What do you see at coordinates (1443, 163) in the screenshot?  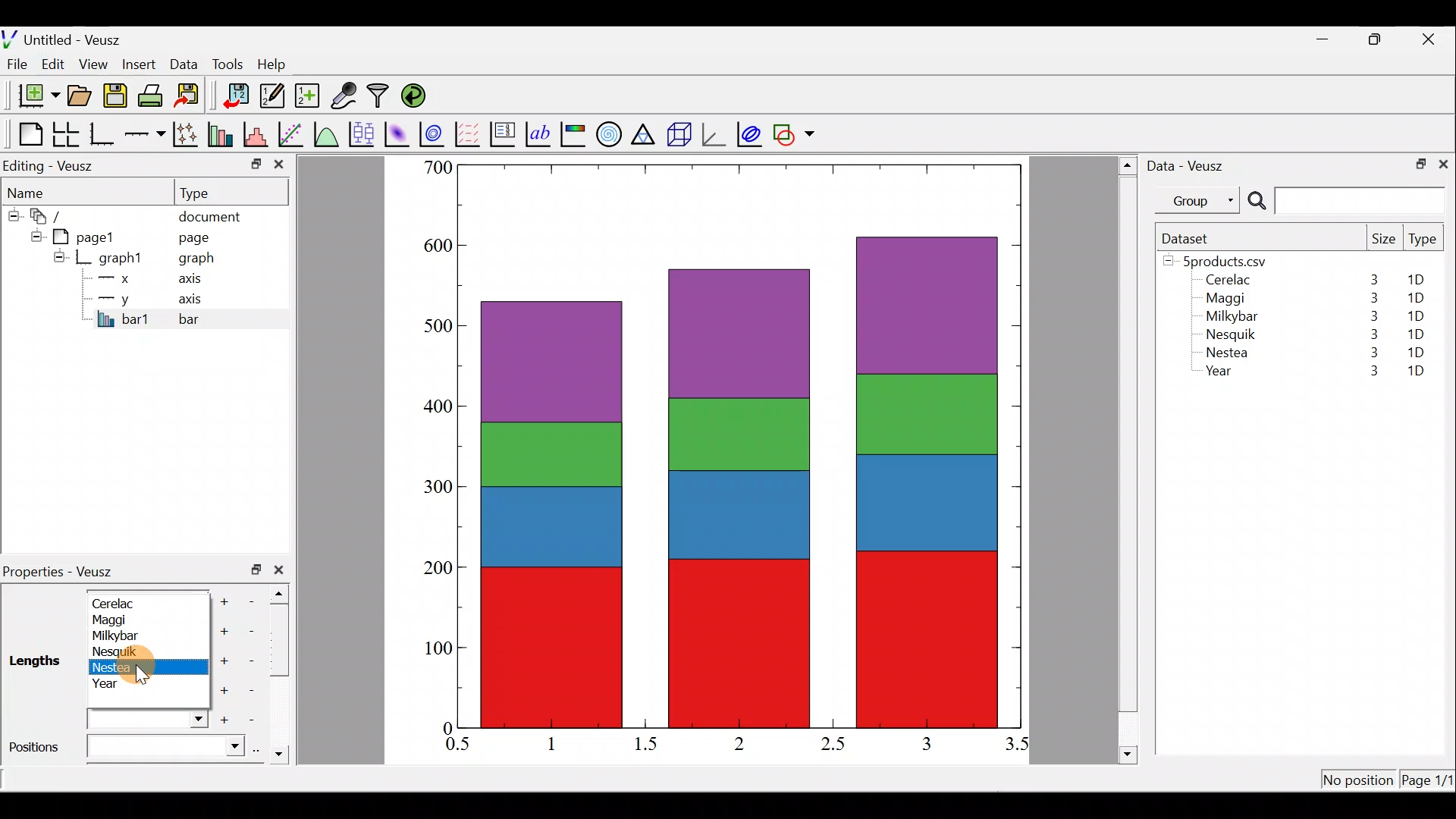 I see `close` at bounding box center [1443, 163].